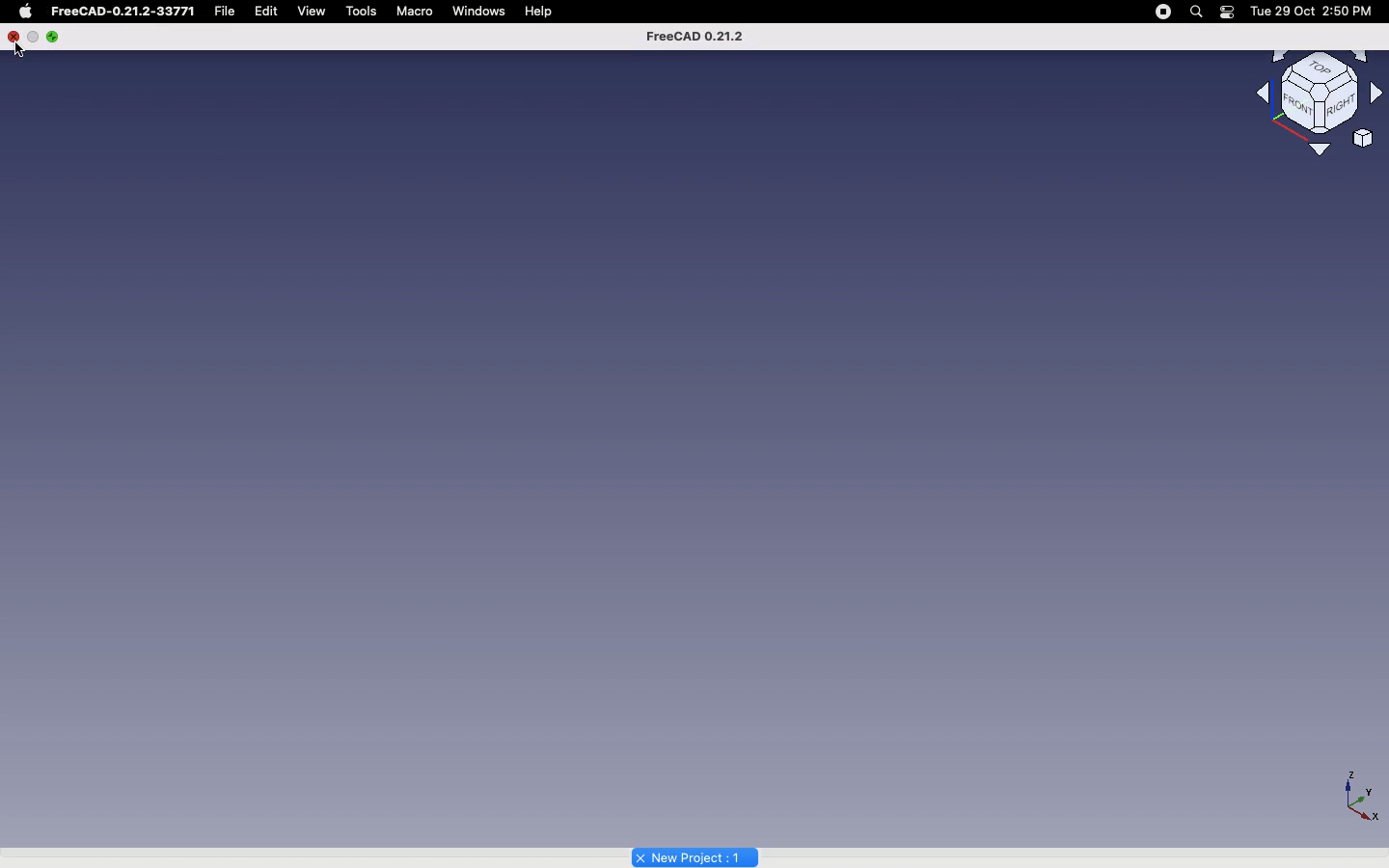 The height and width of the screenshot is (868, 1389). I want to click on cursor, so click(17, 51).